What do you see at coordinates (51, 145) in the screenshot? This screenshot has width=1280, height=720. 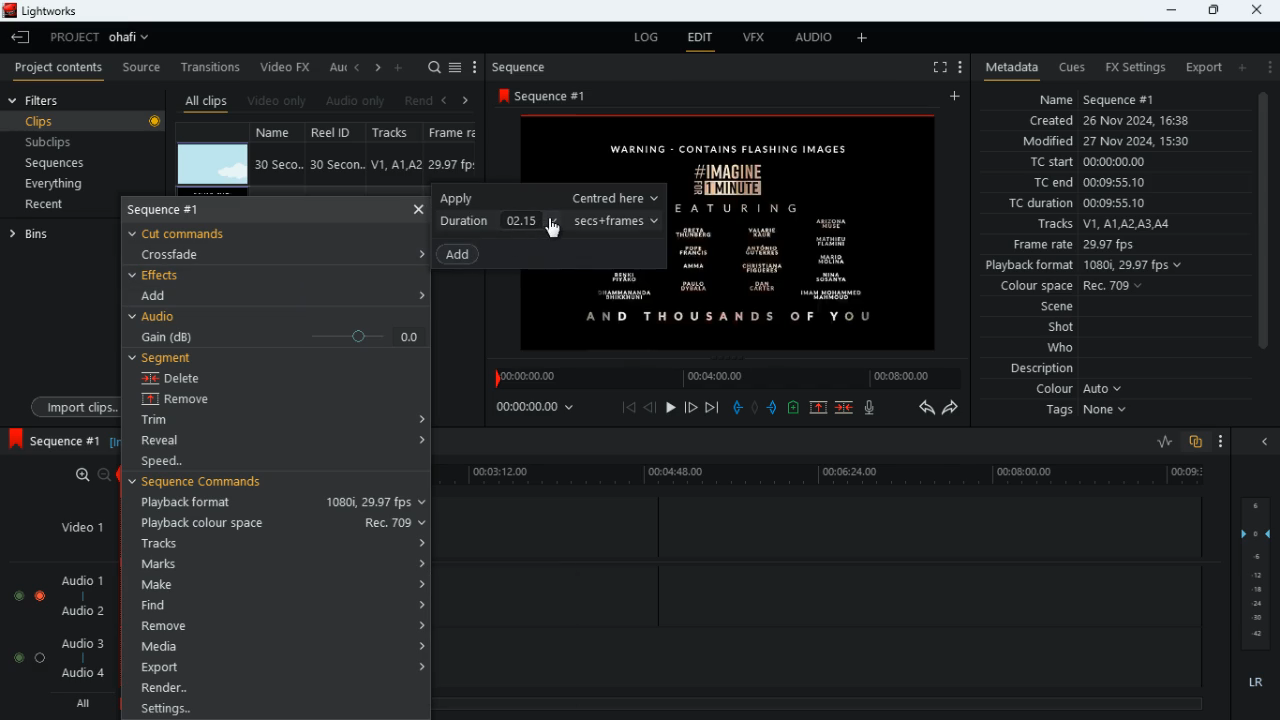 I see `subclips` at bounding box center [51, 145].